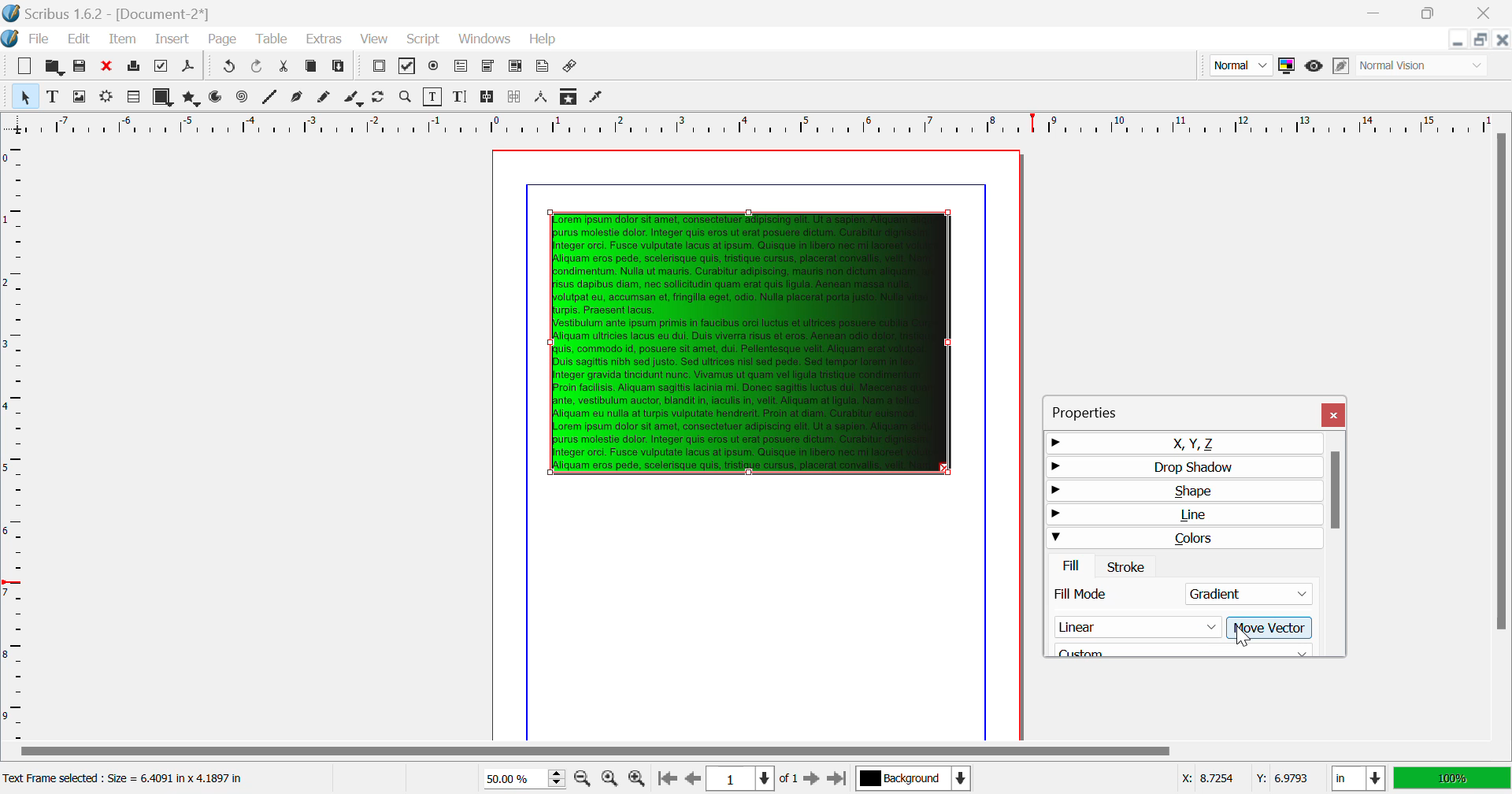  I want to click on Scroll Bar, so click(755, 752).